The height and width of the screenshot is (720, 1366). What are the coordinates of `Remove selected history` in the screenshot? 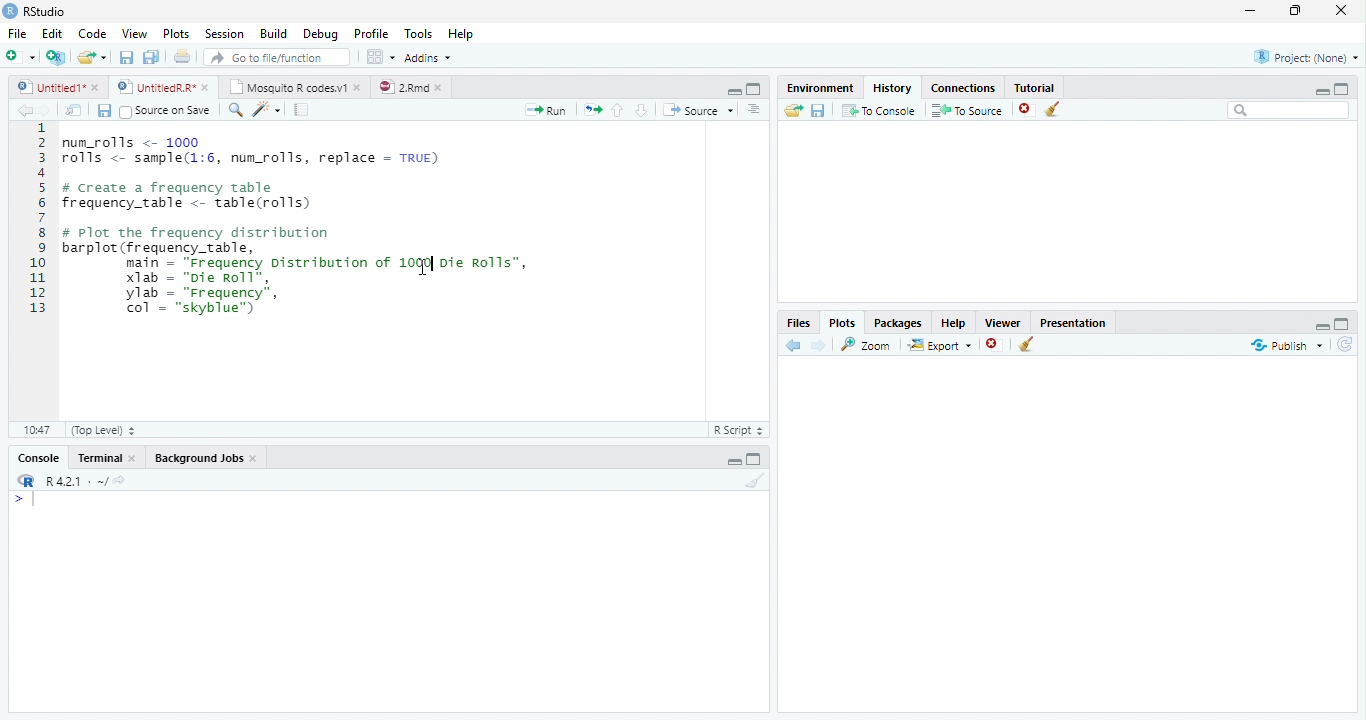 It's located at (1025, 109).